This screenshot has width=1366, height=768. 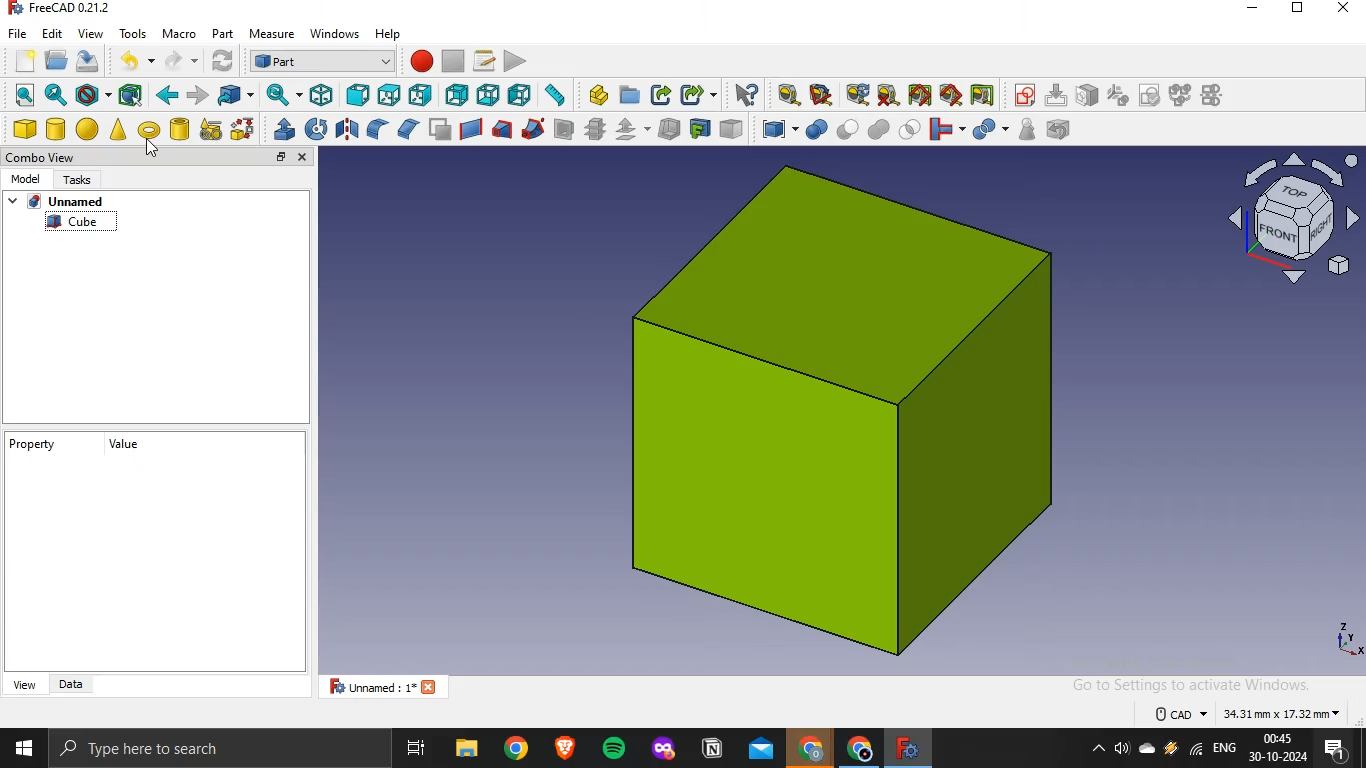 What do you see at coordinates (88, 61) in the screenshot?
I see `save` at bounding box center [88, 61].